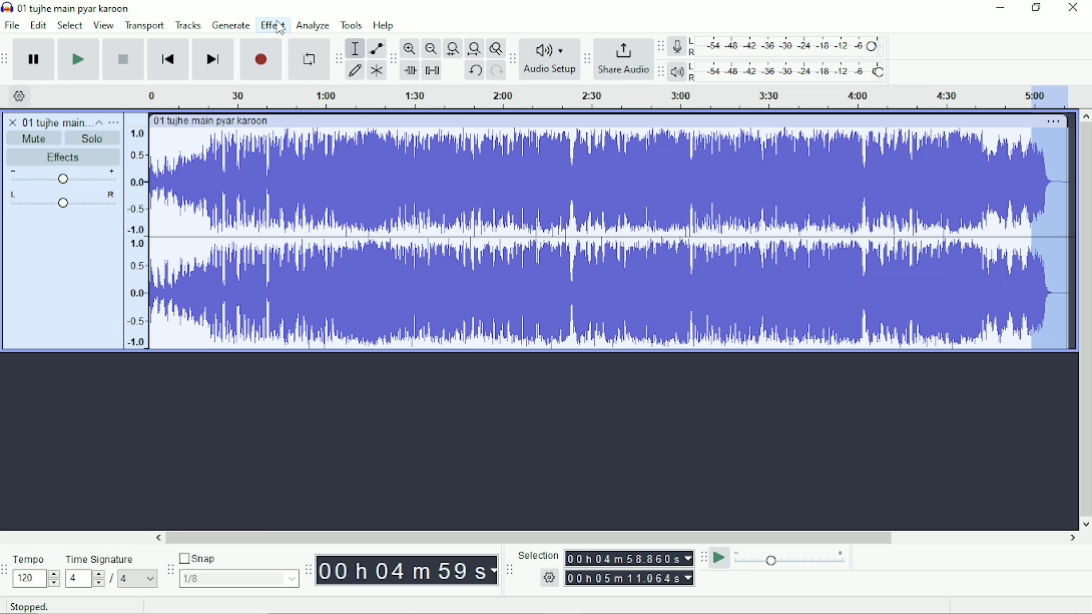 The width and height of the screenshot is (1092, 614). I want to click on Zoom toggle, so click(494, 48).